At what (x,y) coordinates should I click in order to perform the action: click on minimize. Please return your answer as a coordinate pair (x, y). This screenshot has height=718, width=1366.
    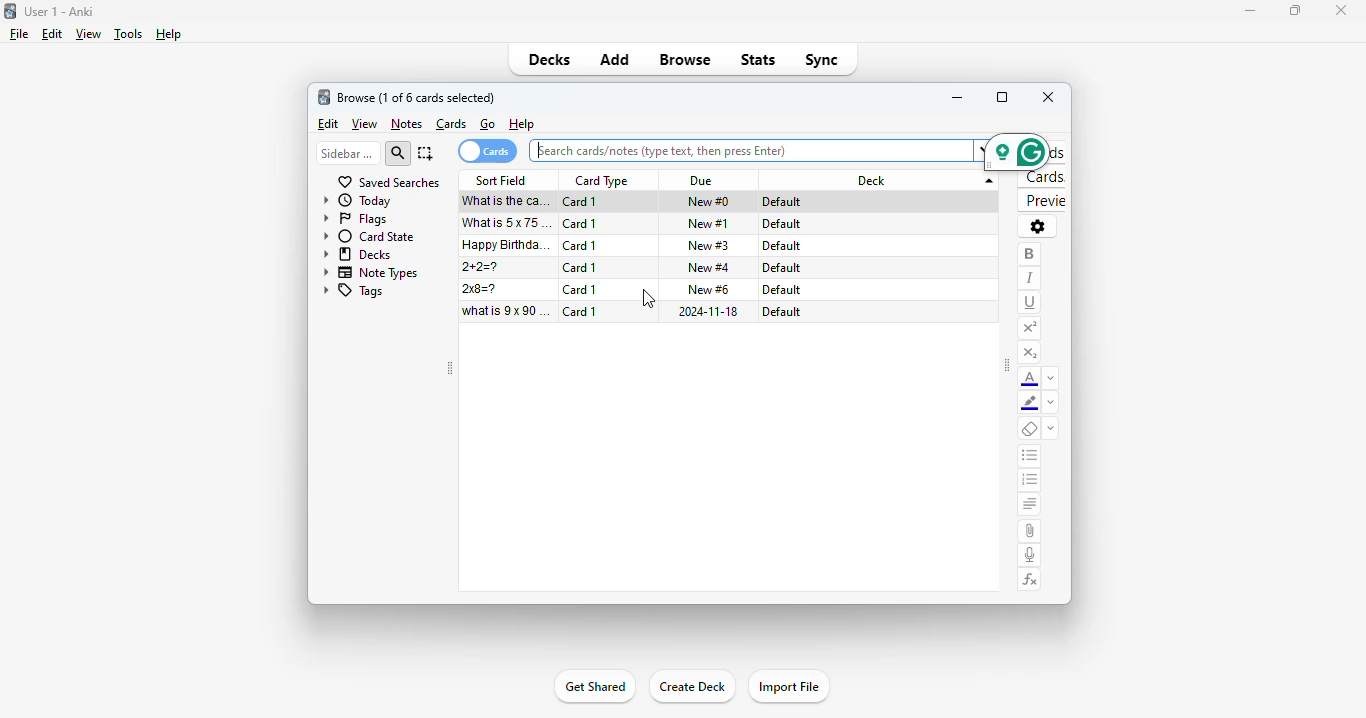
    Looking at the image, I should click on (1244, 11).